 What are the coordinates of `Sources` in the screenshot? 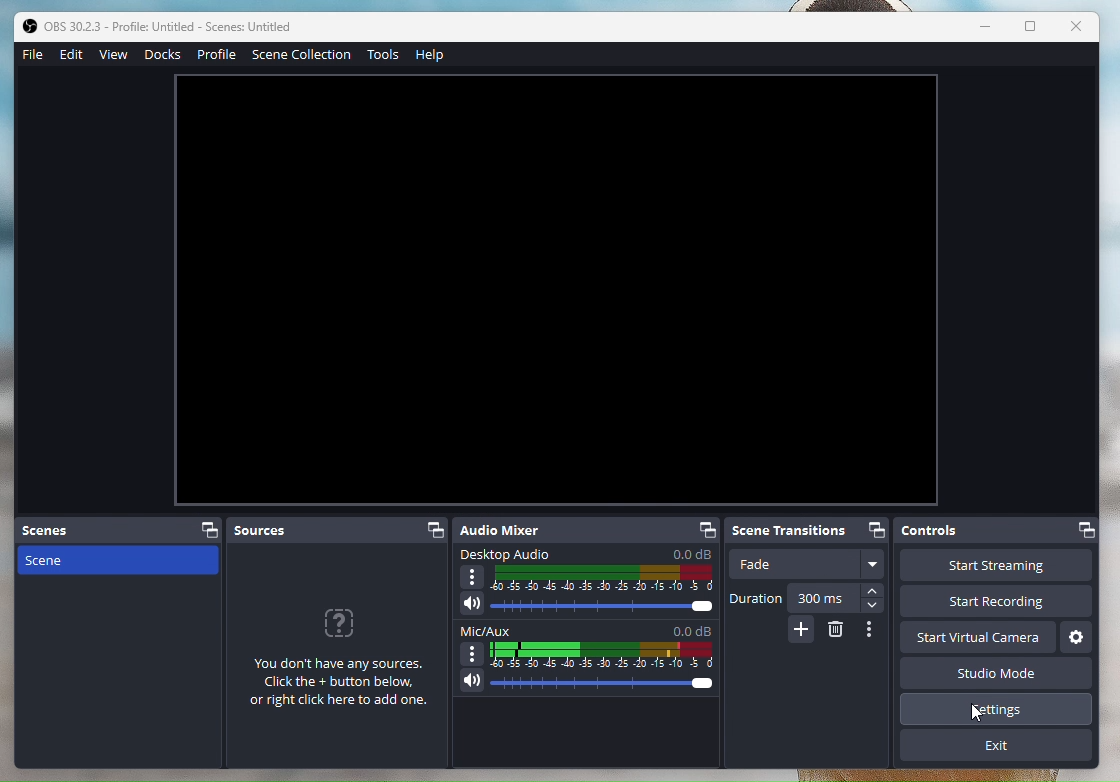 It's located at (340, 641).